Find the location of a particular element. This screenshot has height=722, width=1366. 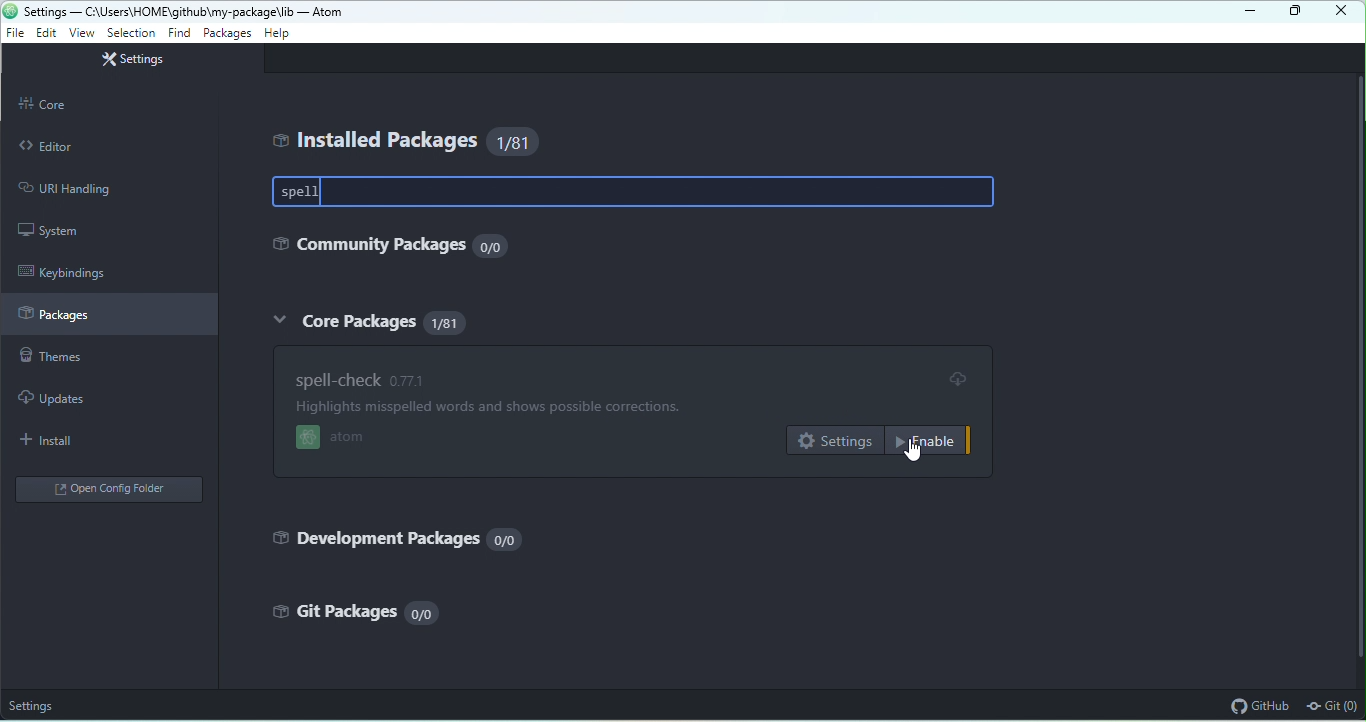

settings is located at coordinates (831, 441).